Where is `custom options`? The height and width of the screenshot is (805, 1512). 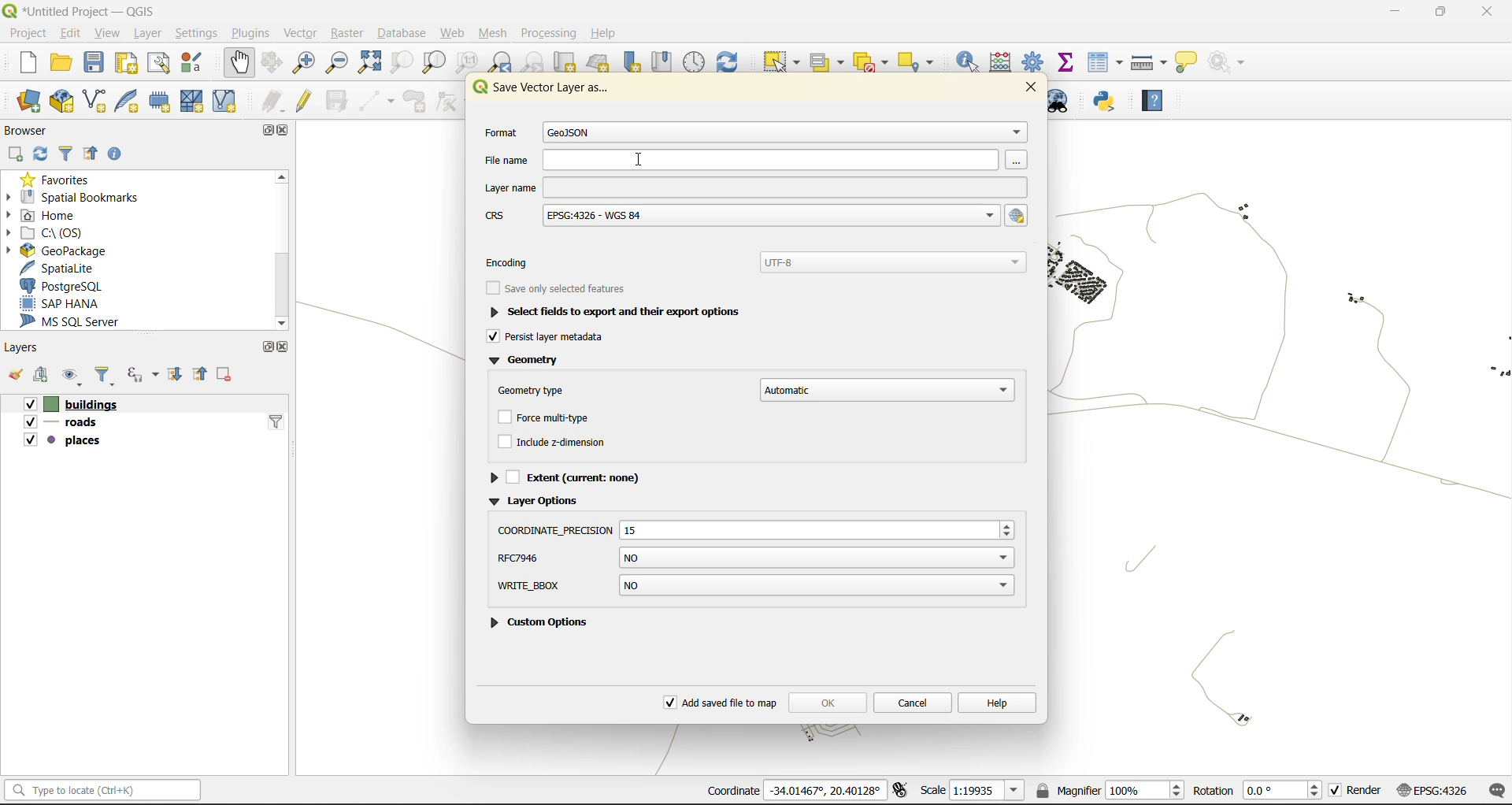
custom options is located at coordinates (545, 589).